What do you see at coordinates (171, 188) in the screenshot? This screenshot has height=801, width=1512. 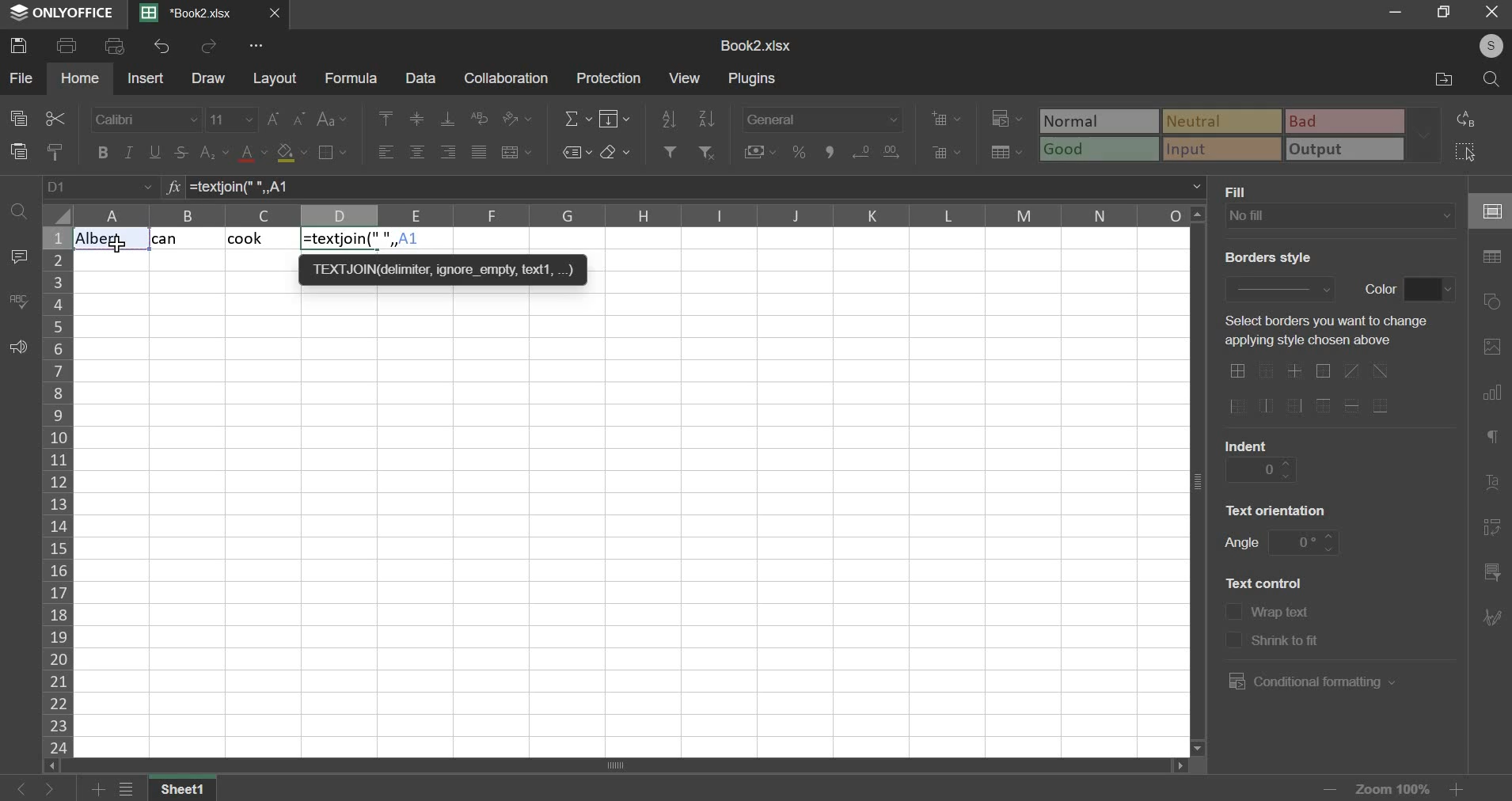 I see `formula` at bounding box center [171, 188].